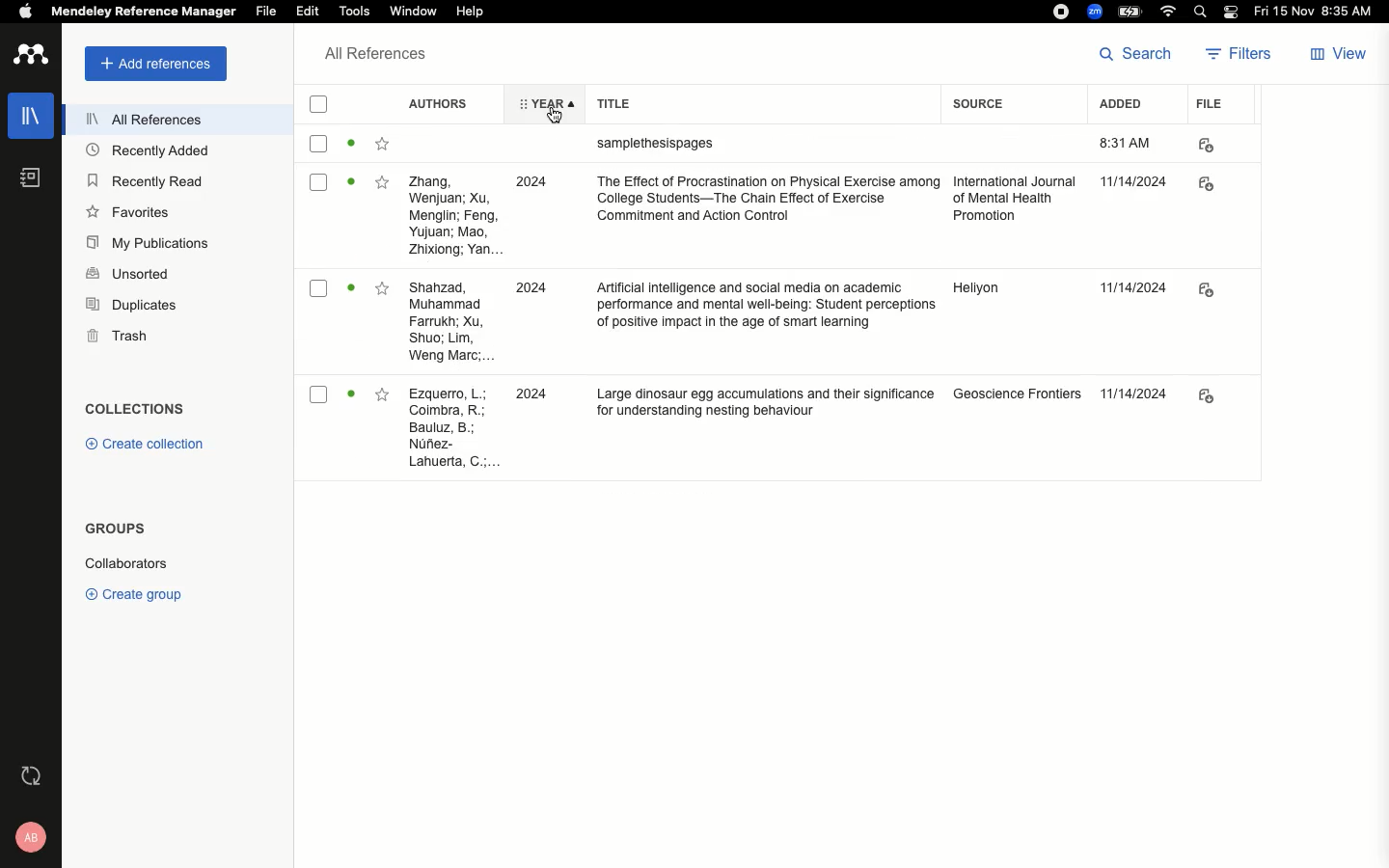  I want to click on Groups, so click(110, 529).